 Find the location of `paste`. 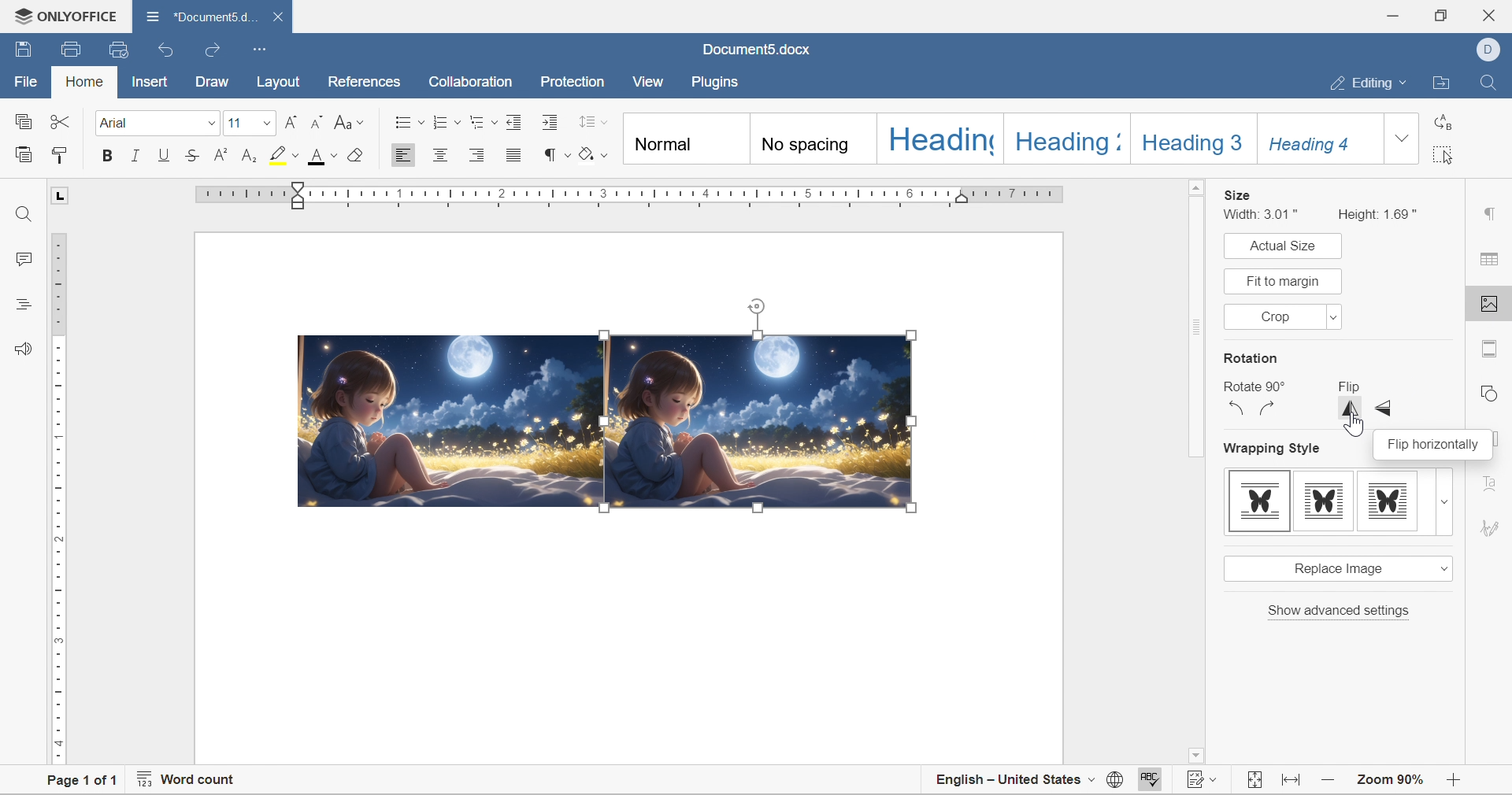

paste is located at coordinates (24, 153).